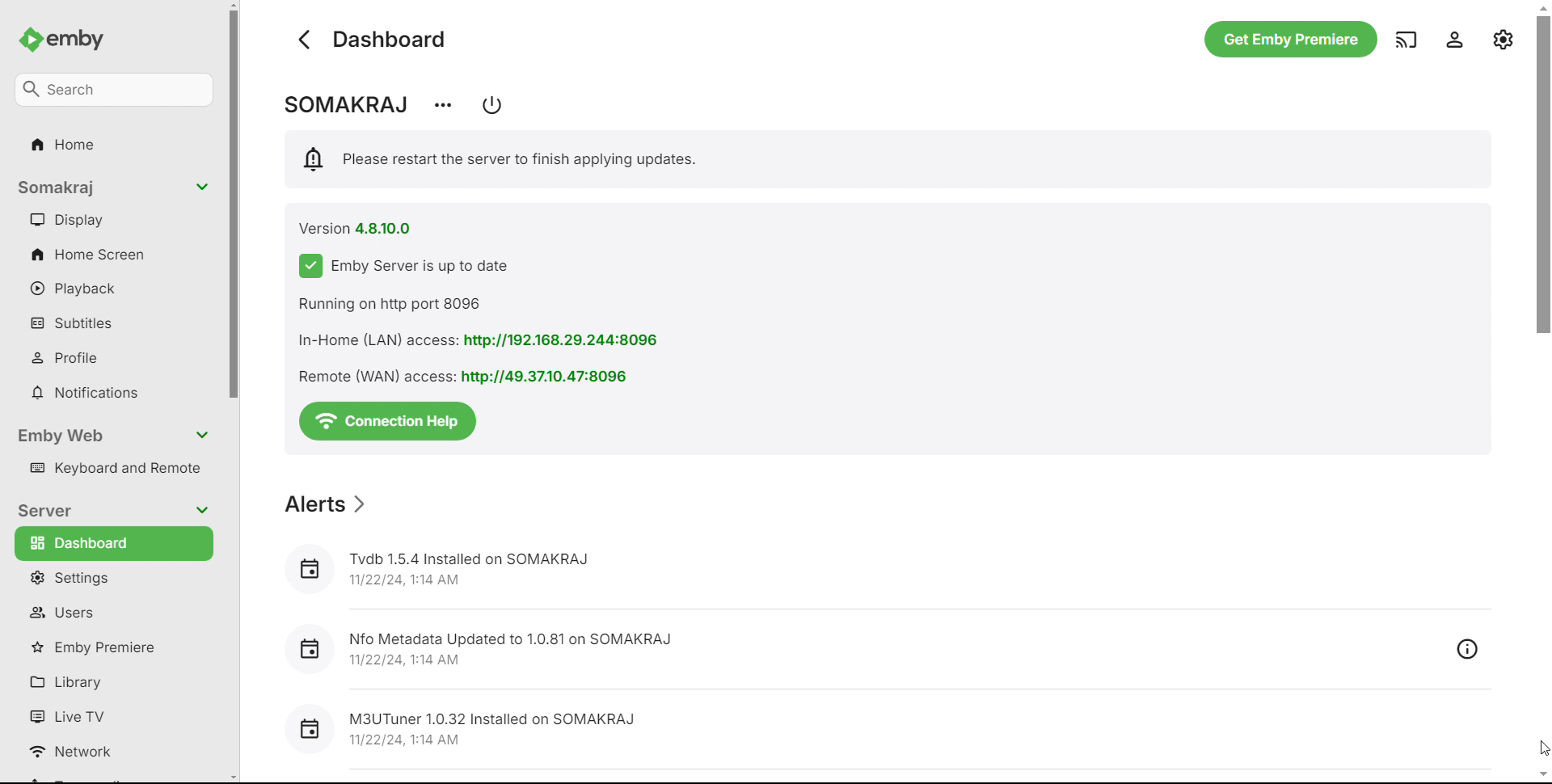  What do you see at coordinates (1503, 39) in the screenshot?
I see `settings` at bounding box center [1503, 39].